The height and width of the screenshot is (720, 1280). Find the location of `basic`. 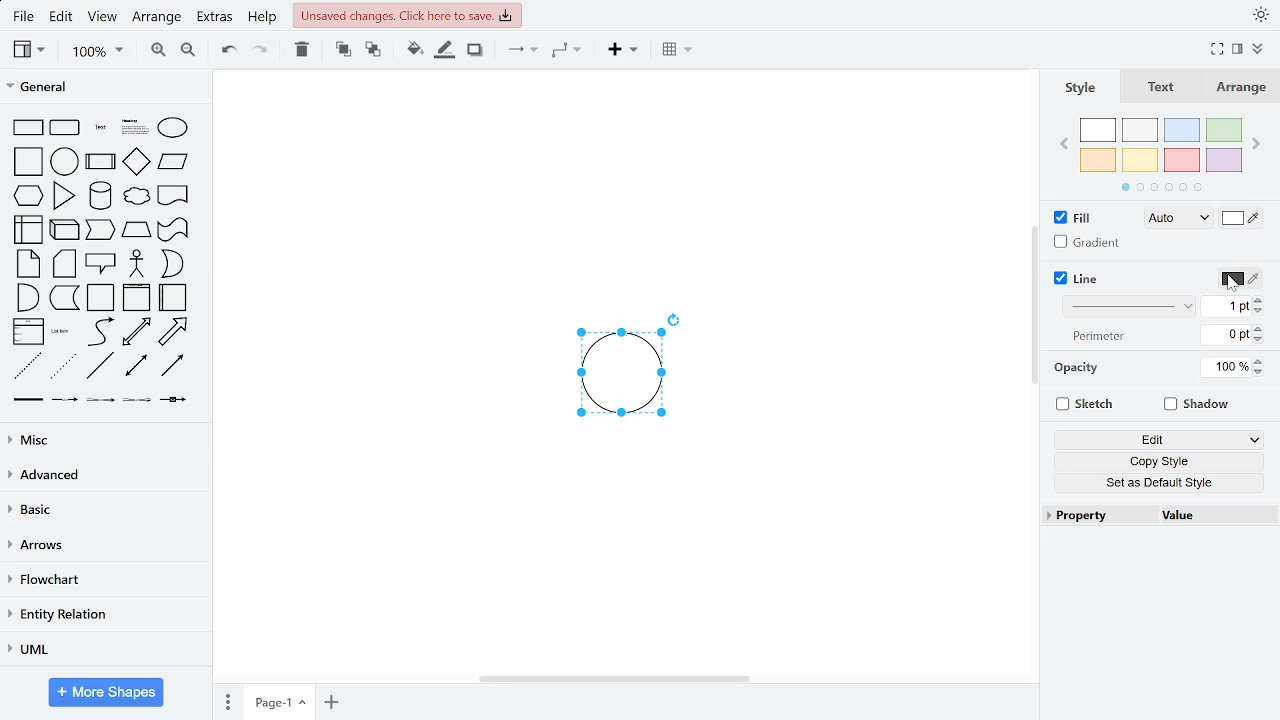

basic is located at coordinates (103, 509).